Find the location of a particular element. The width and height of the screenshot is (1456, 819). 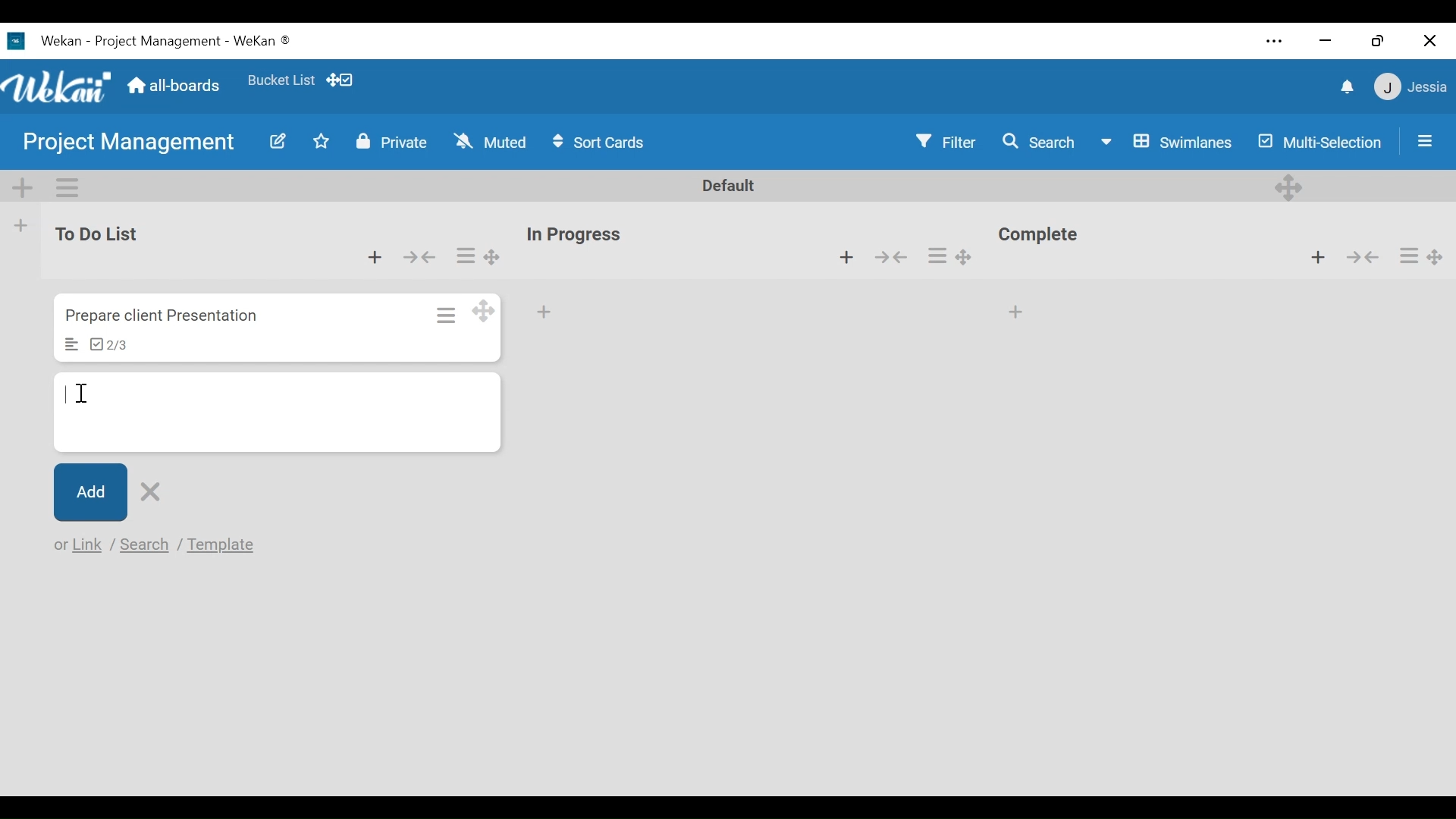

prepare client presentation is located at coordinates (165, 316).